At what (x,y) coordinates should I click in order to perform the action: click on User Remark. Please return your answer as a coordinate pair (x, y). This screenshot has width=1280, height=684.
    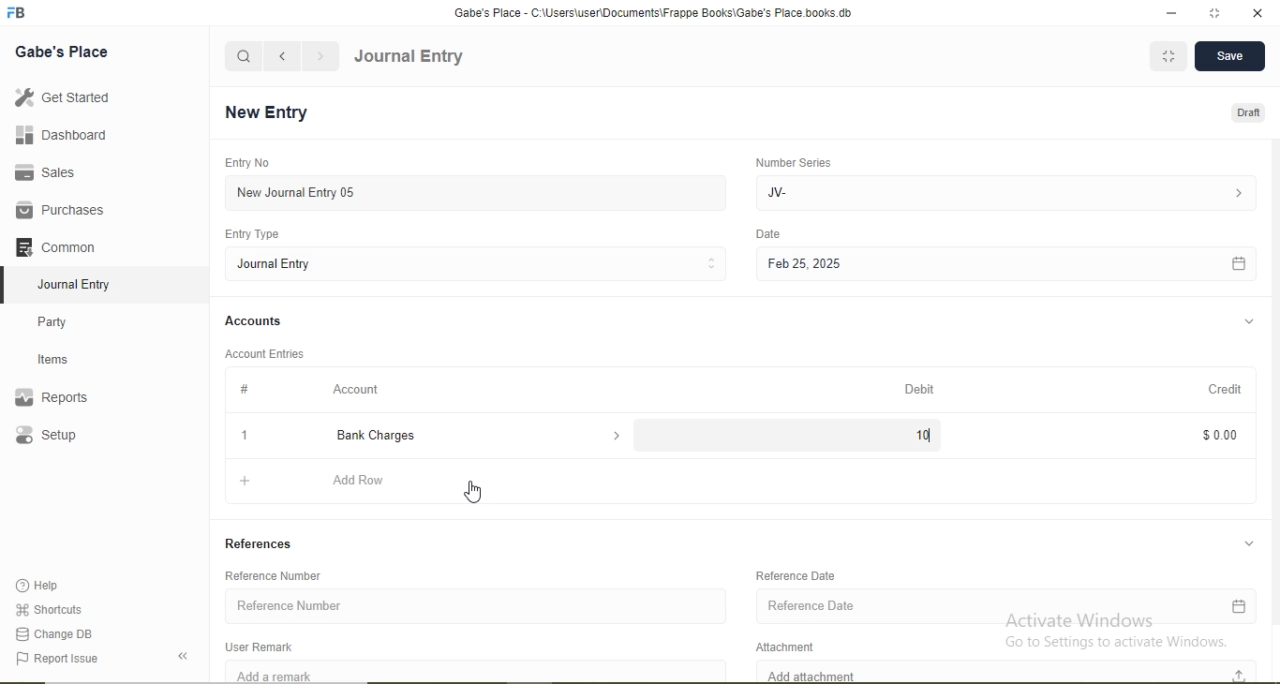
    Looking at the image, I should click on (264, 645).